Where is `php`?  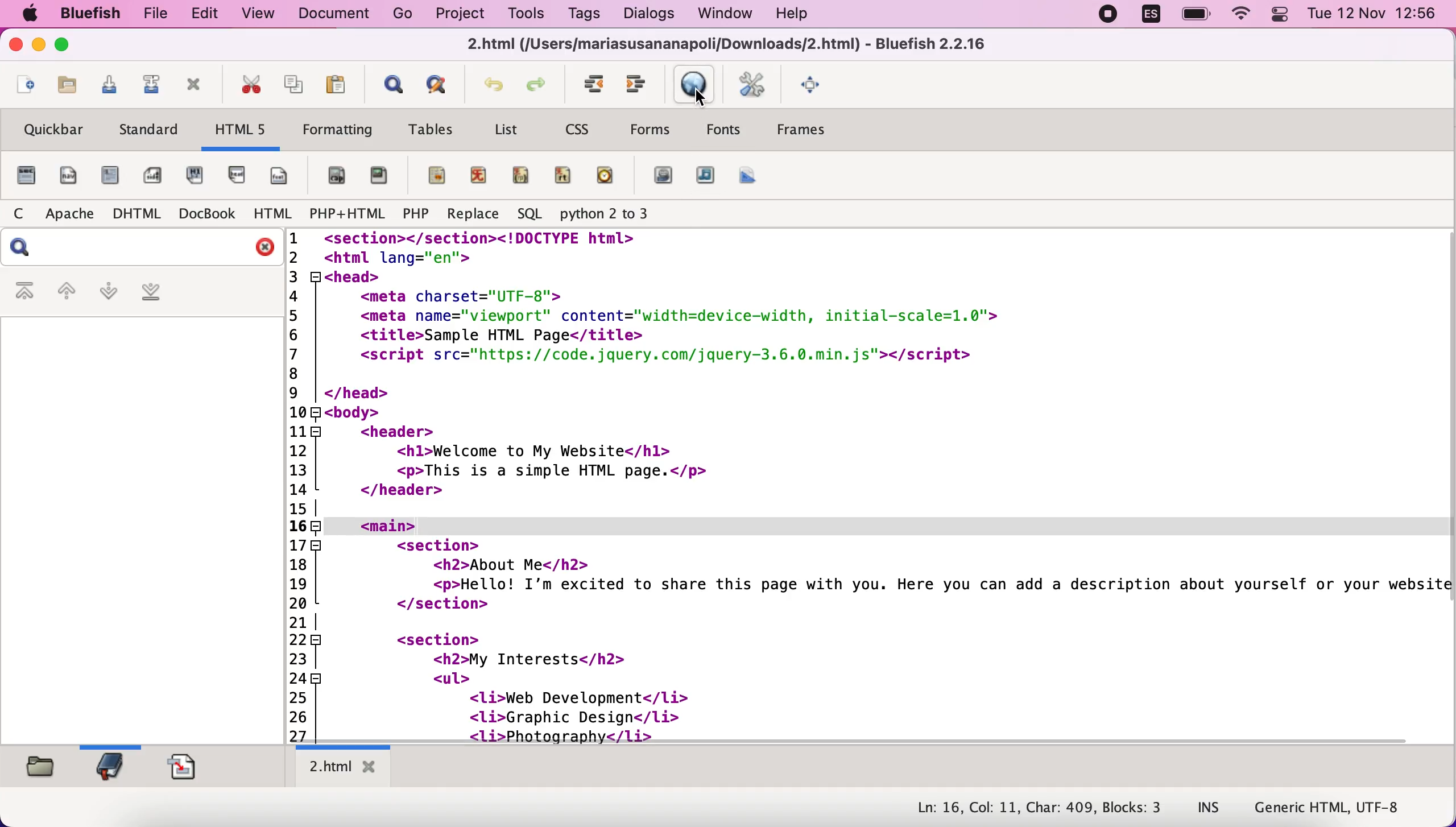 php is located at coordinates (412, 216).